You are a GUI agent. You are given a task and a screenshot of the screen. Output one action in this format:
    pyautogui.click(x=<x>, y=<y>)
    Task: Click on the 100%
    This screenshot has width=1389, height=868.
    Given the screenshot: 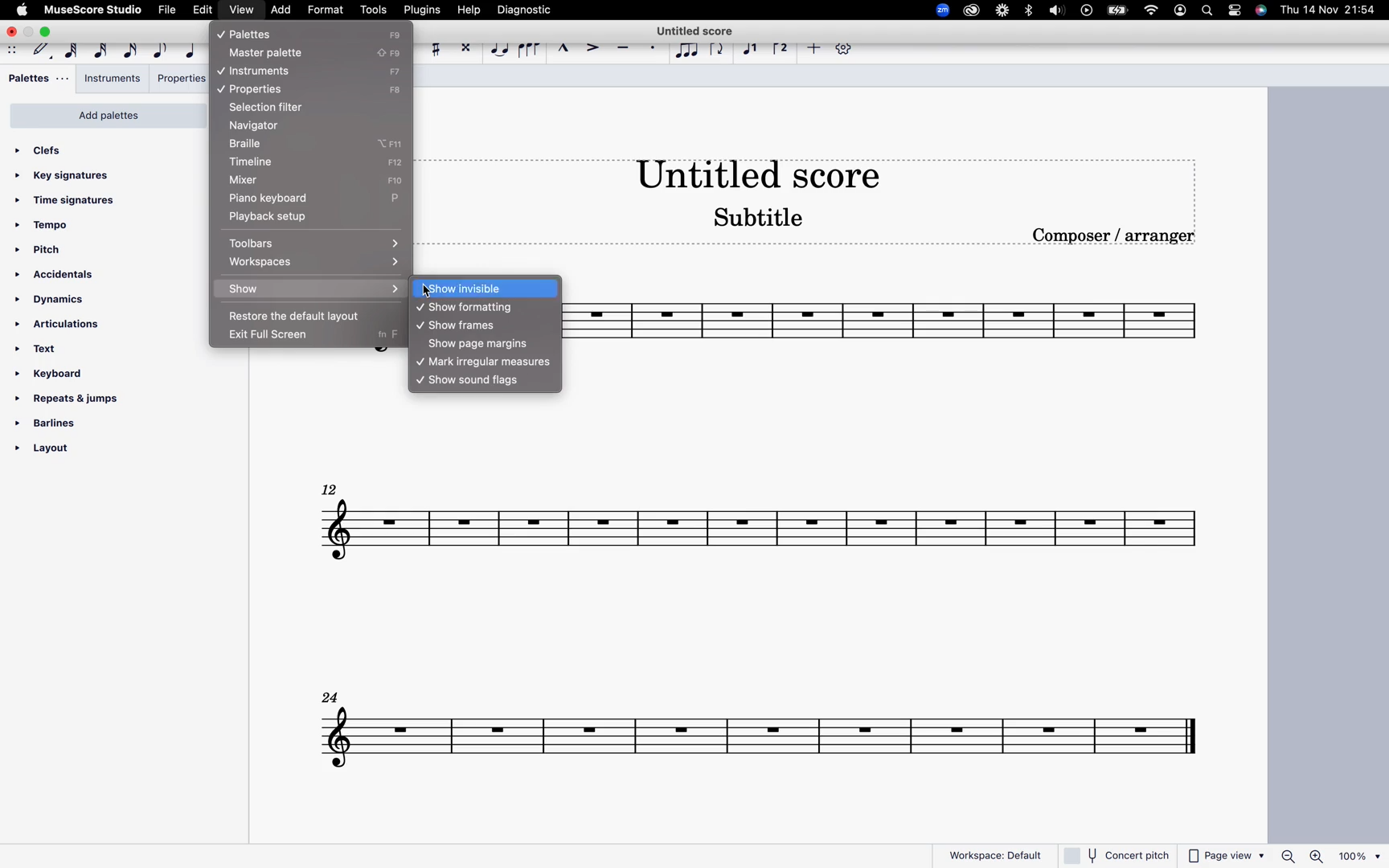 What is the action you would take?
    pyautogui.click(x=1359, y=855)
    